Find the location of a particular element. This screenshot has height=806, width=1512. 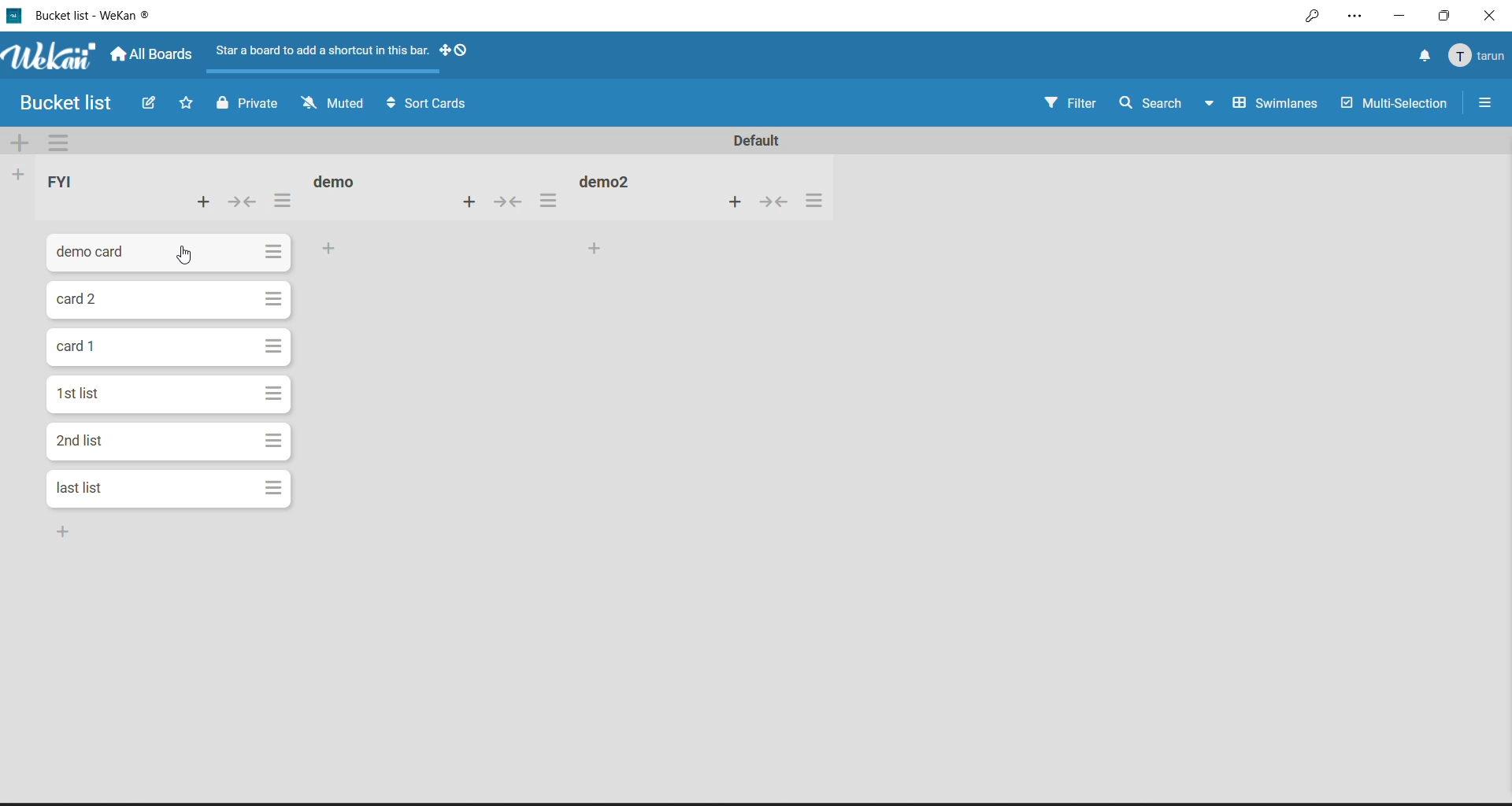

settings and more is located at coordinates (1354, 17).